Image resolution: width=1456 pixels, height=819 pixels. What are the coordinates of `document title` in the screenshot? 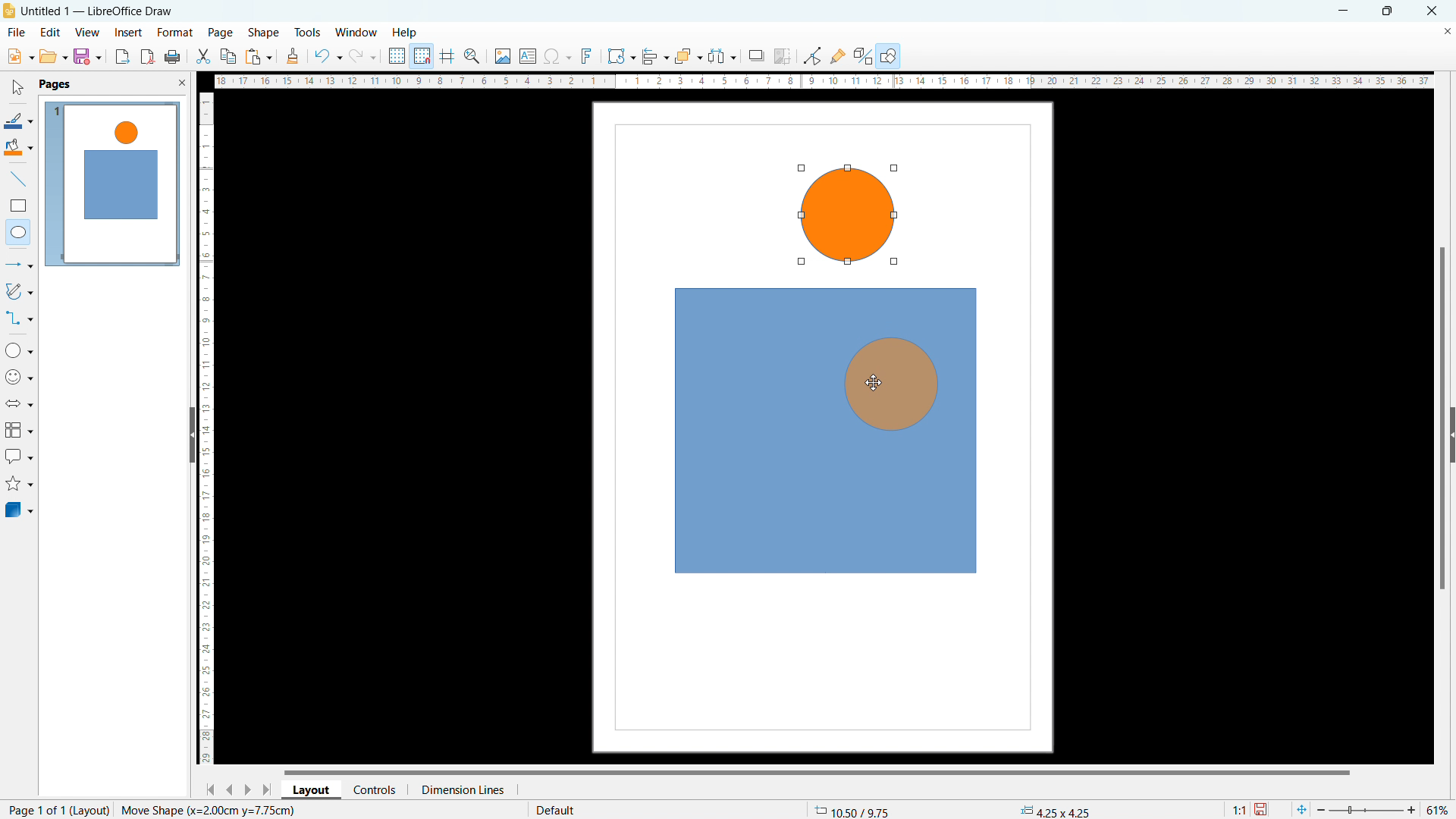 It's located at (100, 11).